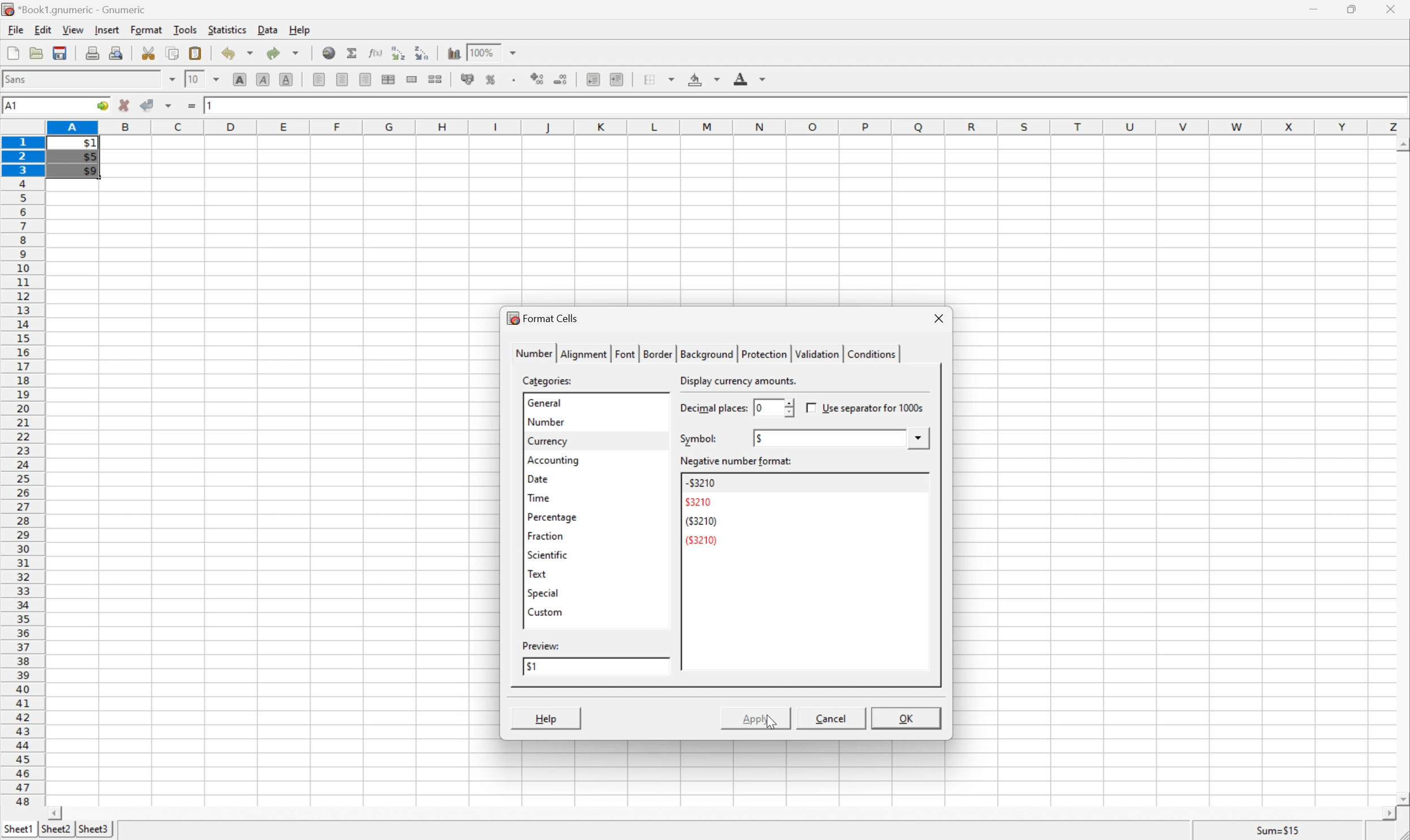 The height and width of the screenshot is (840, 1410). What do you see at coordinates (367, 79) in the screenshot?
I see `align right` at bounding box center [367, 79].